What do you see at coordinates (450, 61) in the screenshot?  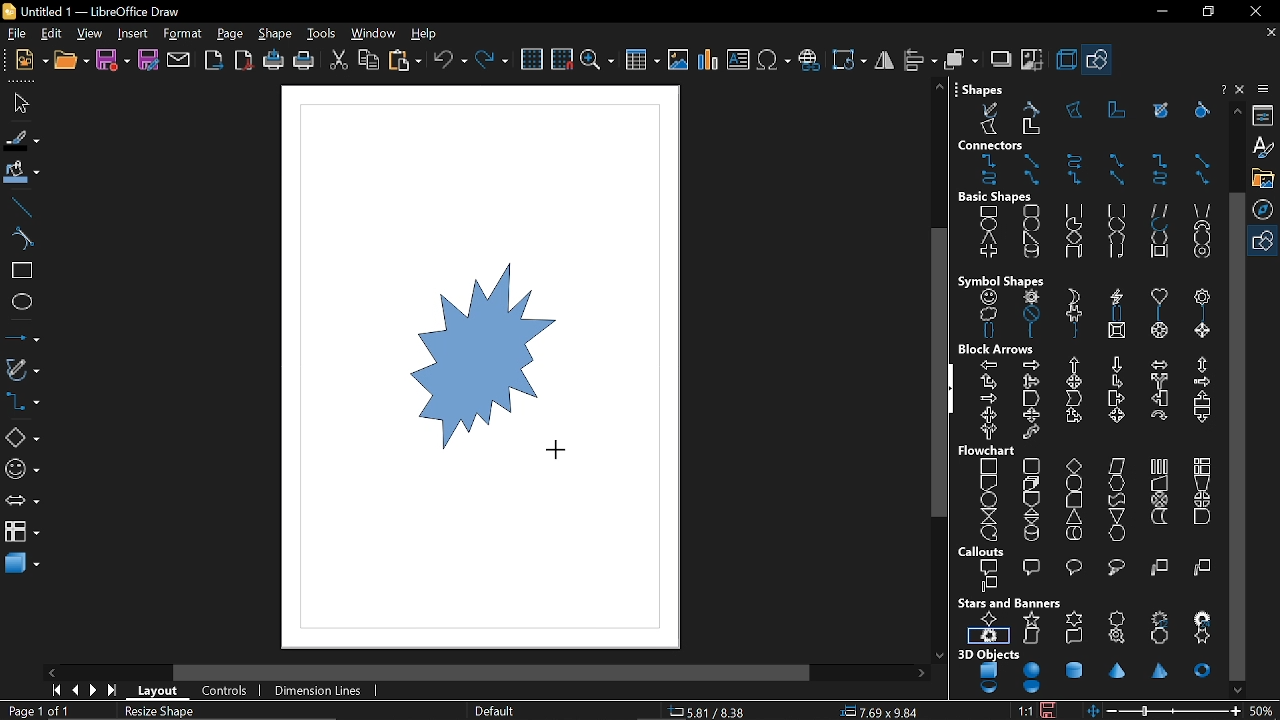 I see `undo` at bounding box center [450, 61].